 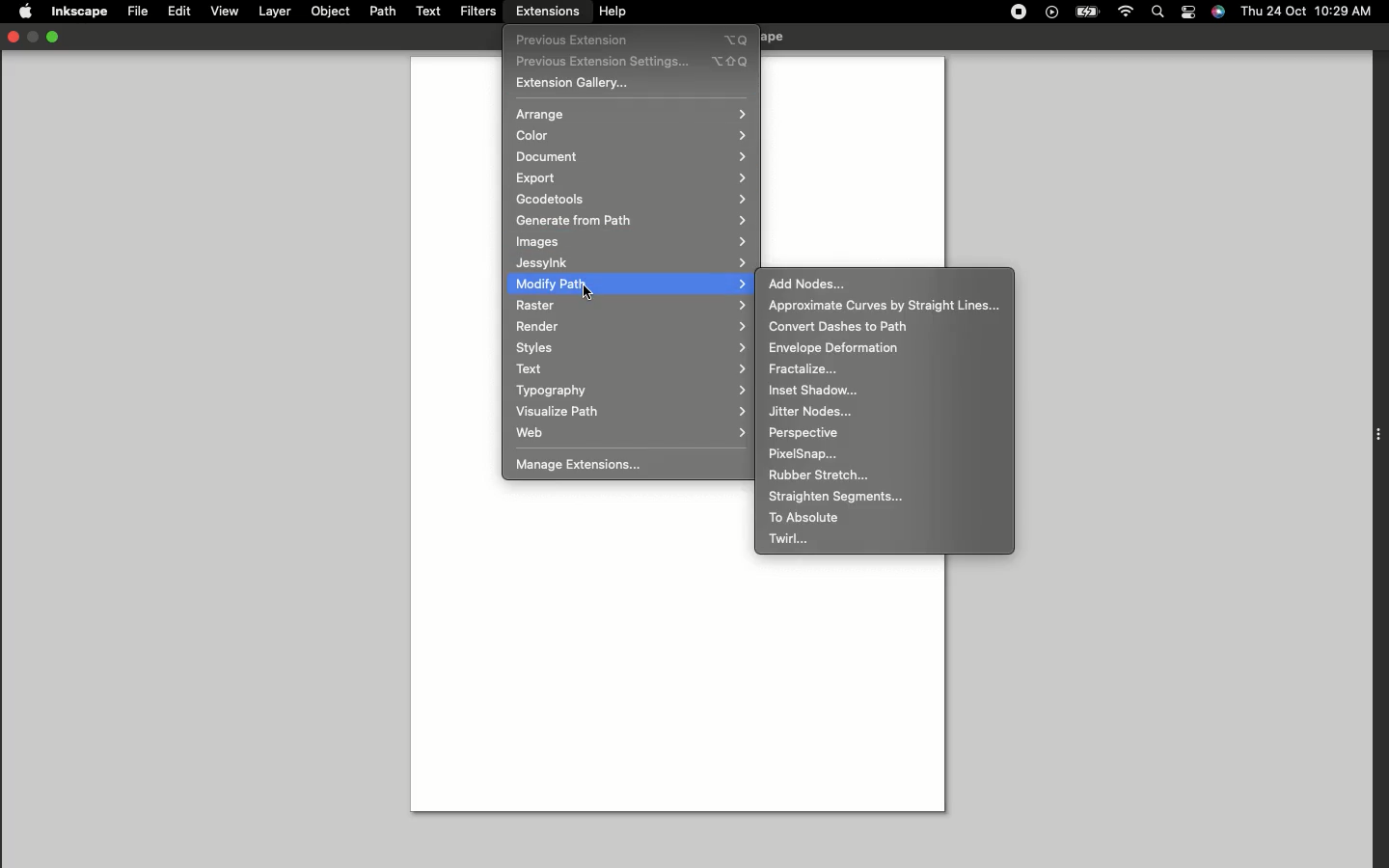 I want to click on Perpective, so click(x=812, y=432).